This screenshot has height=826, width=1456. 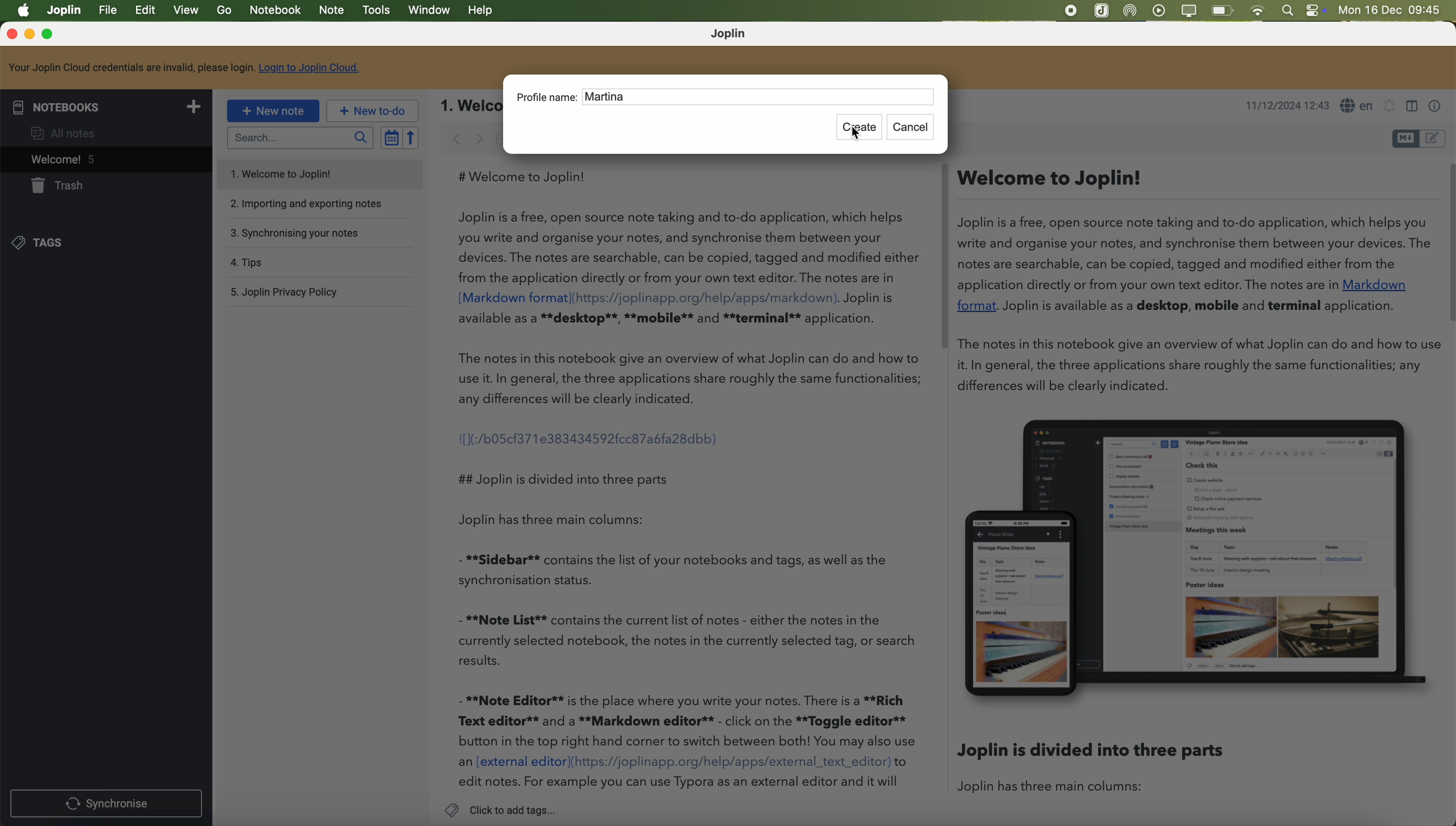 I want to click on click on create button, so click(x=861, y=128).